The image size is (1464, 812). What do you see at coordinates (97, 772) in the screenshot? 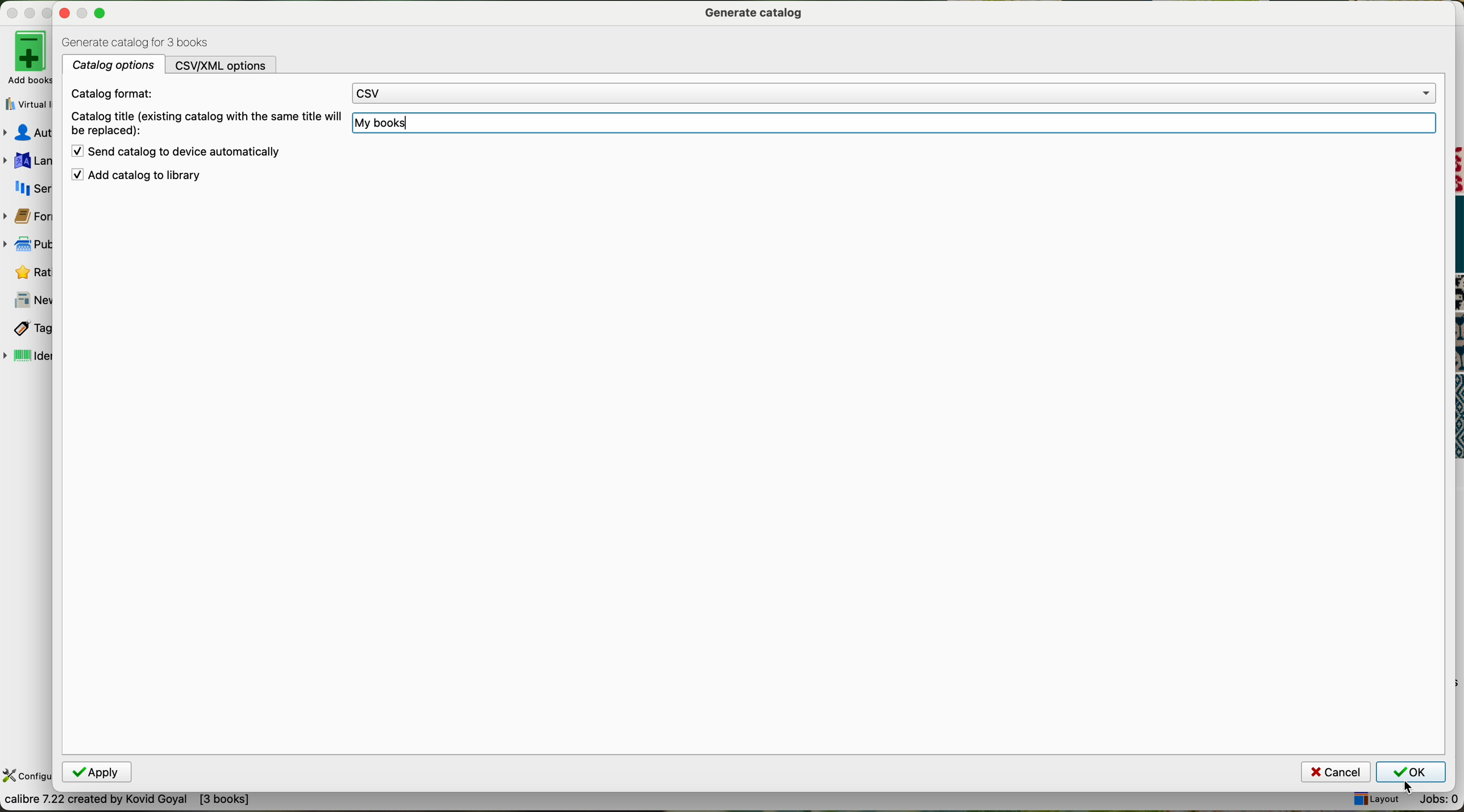
I see `Apply button` at bounding box center [97, 772].